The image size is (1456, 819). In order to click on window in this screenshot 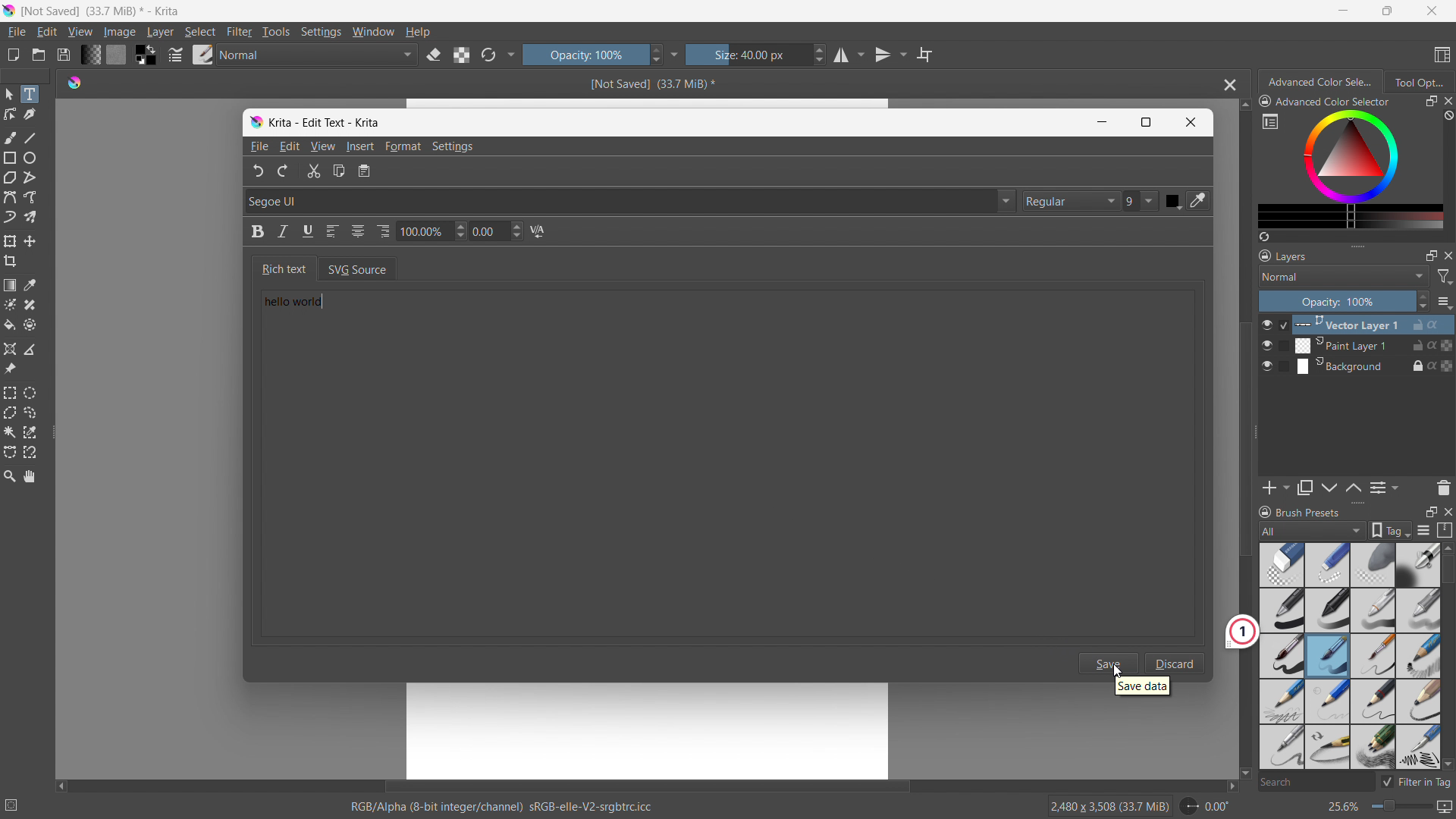, I will do `click(373, 32)`.